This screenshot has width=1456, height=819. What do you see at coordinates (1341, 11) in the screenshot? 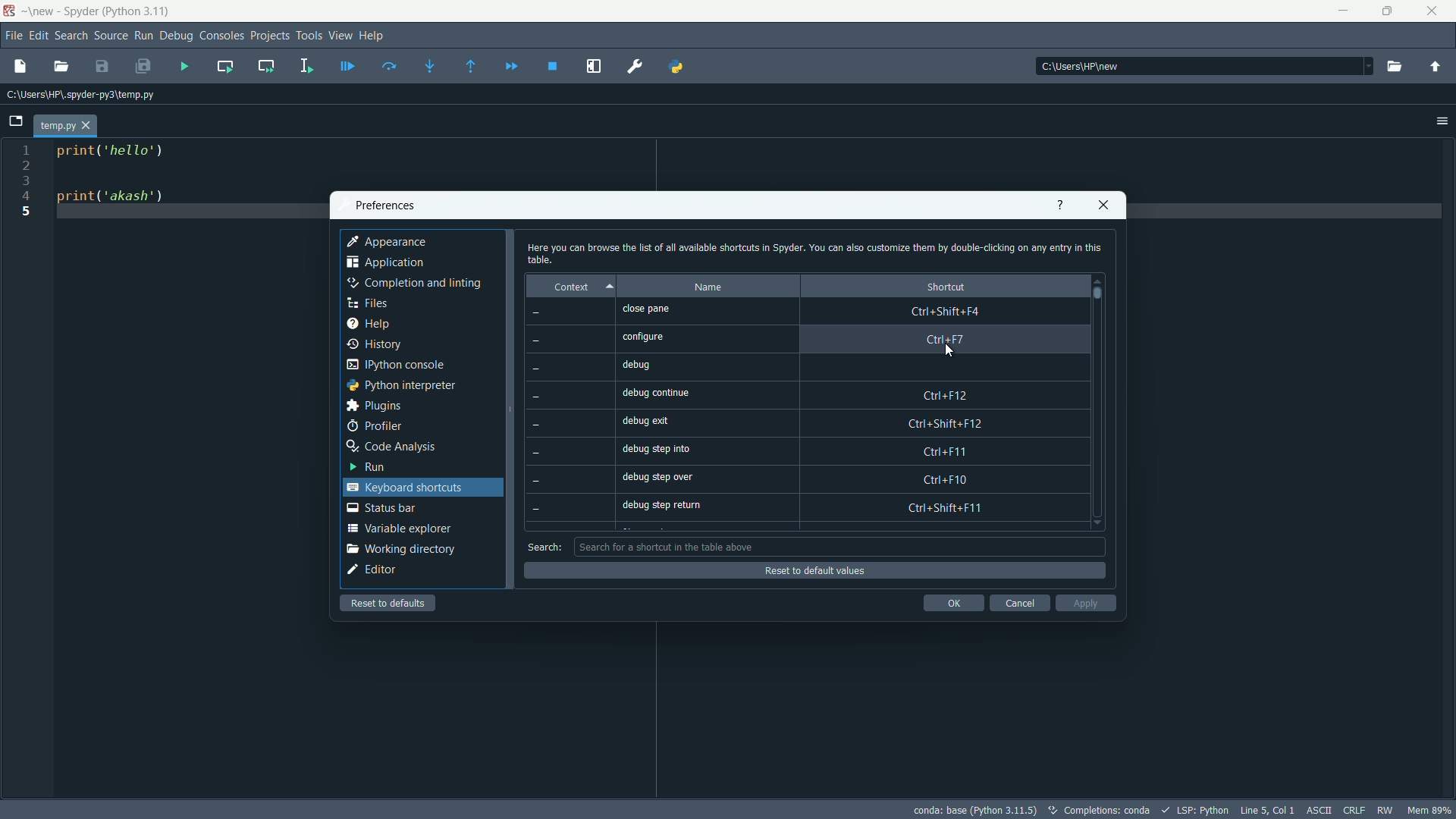
I see `minimize` at bounding box center [1341, 11].